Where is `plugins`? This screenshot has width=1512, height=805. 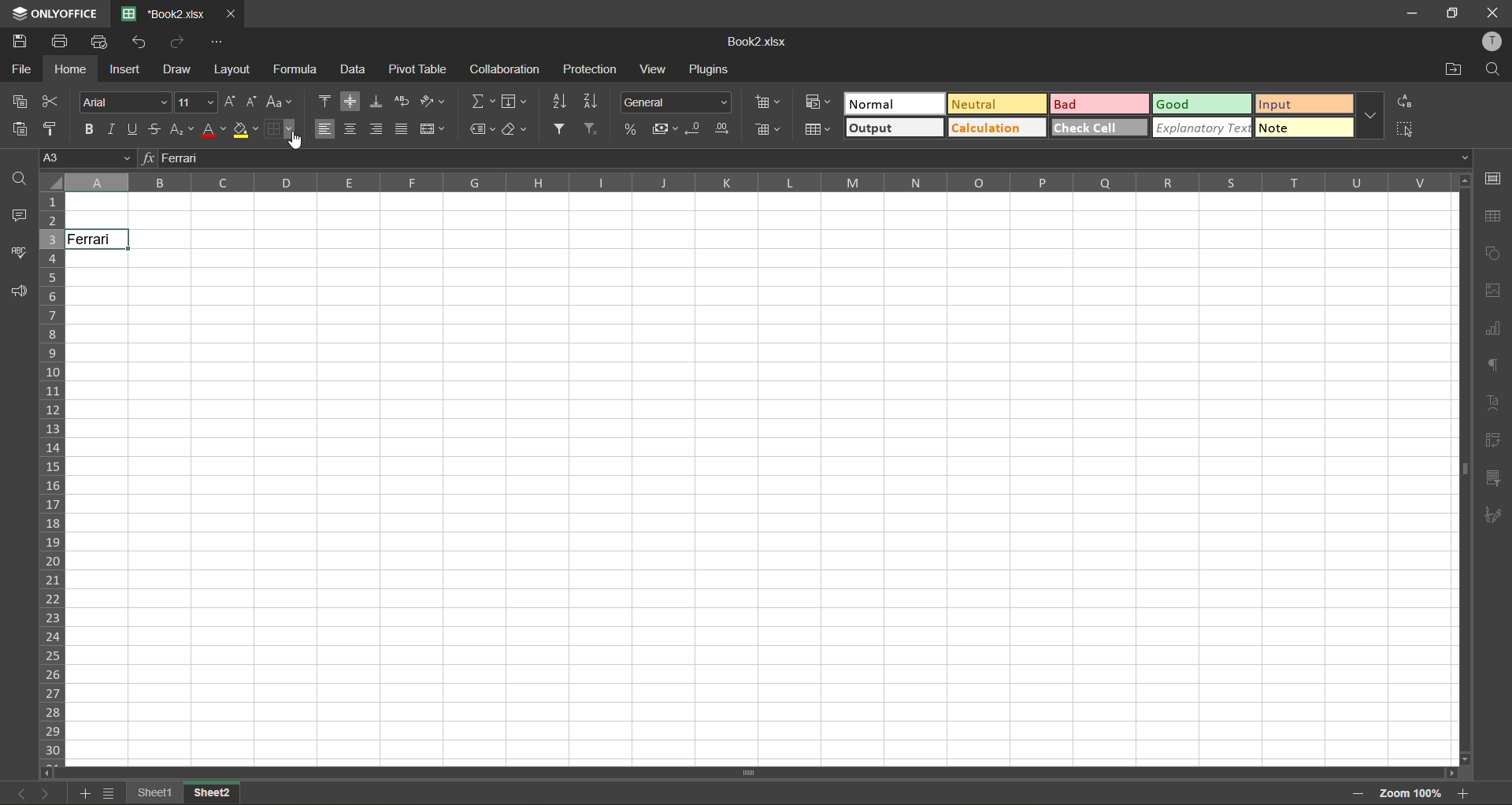 plugins is located at coordinates (706, 72).